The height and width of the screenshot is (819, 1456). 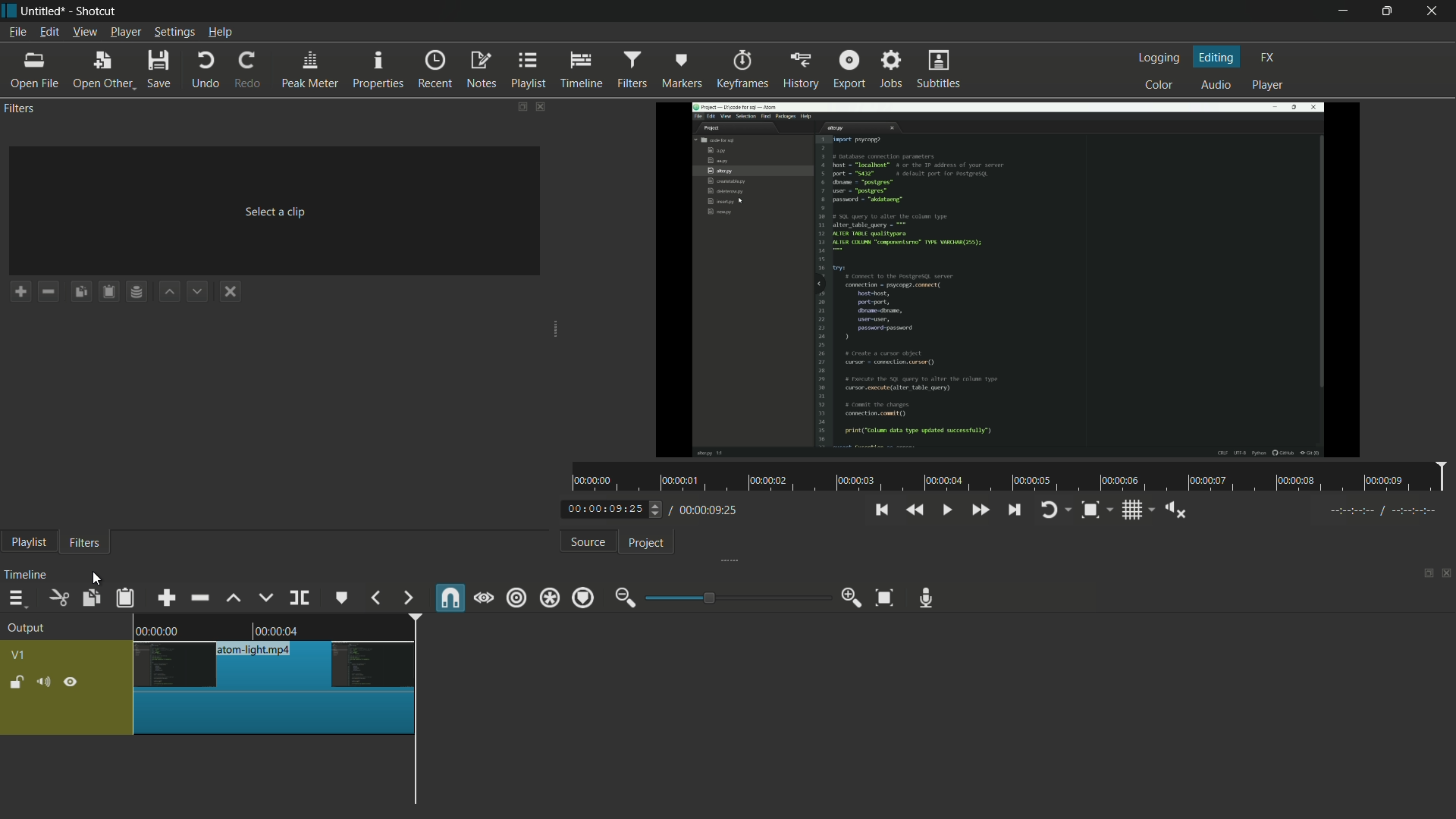 I want to click on remove a filter, so click(x=52, y=290).